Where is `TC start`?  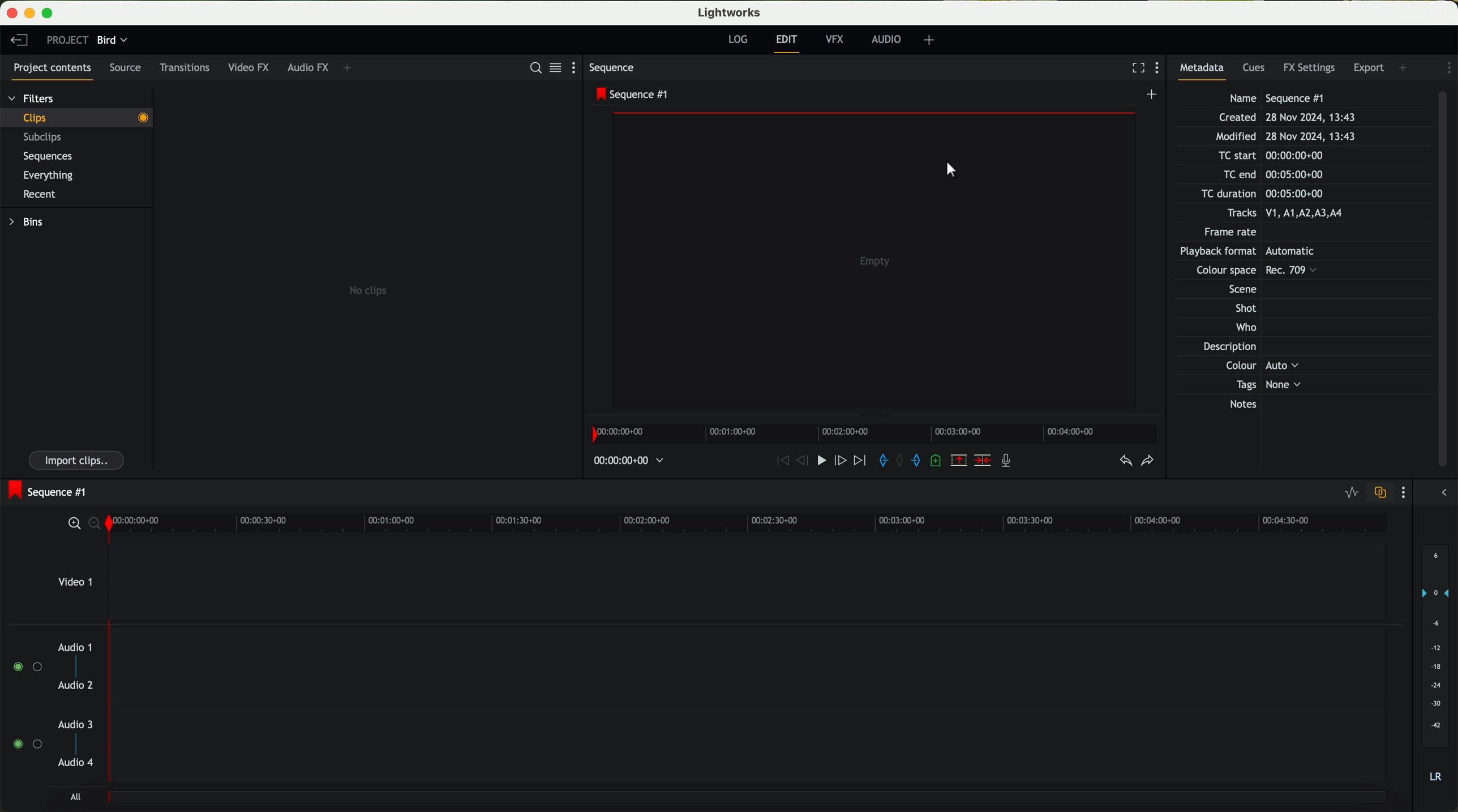
TC start is located at coordinates (1288, 154).